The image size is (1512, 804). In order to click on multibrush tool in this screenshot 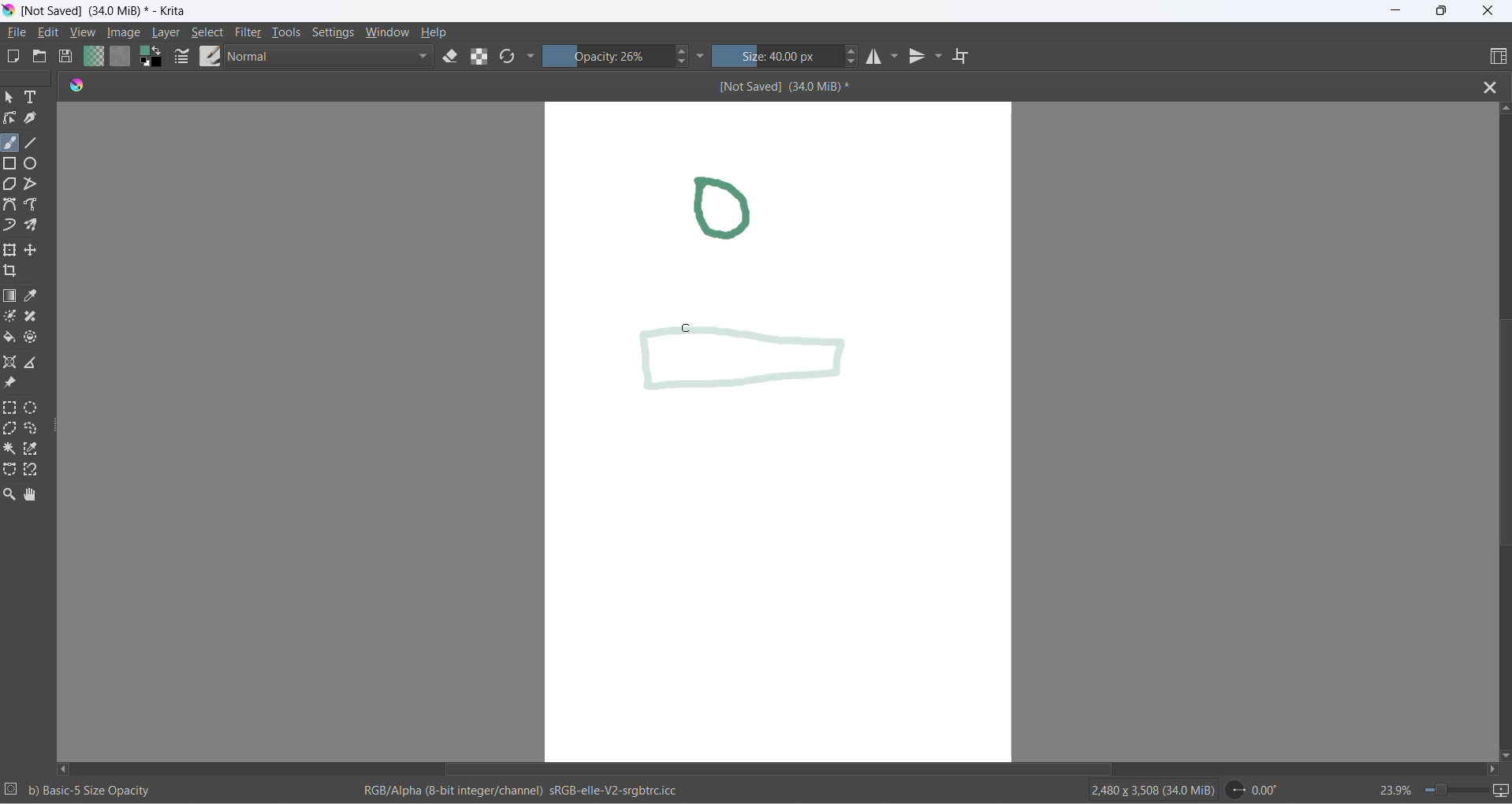, I will do `click(39, 226)`.